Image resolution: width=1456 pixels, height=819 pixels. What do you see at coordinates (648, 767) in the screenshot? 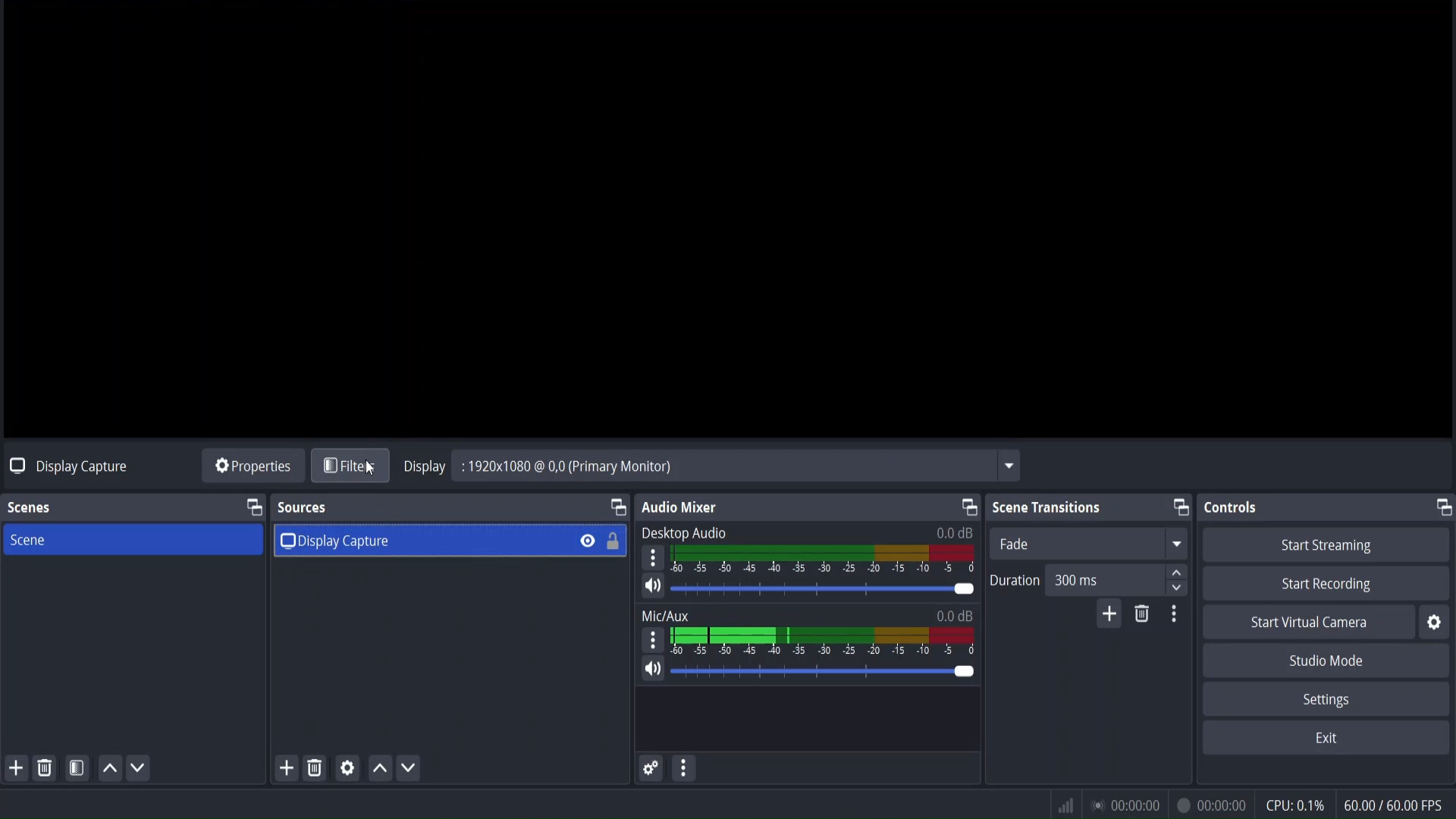
I see `advance audio properties` at bounding box center [648, 767].